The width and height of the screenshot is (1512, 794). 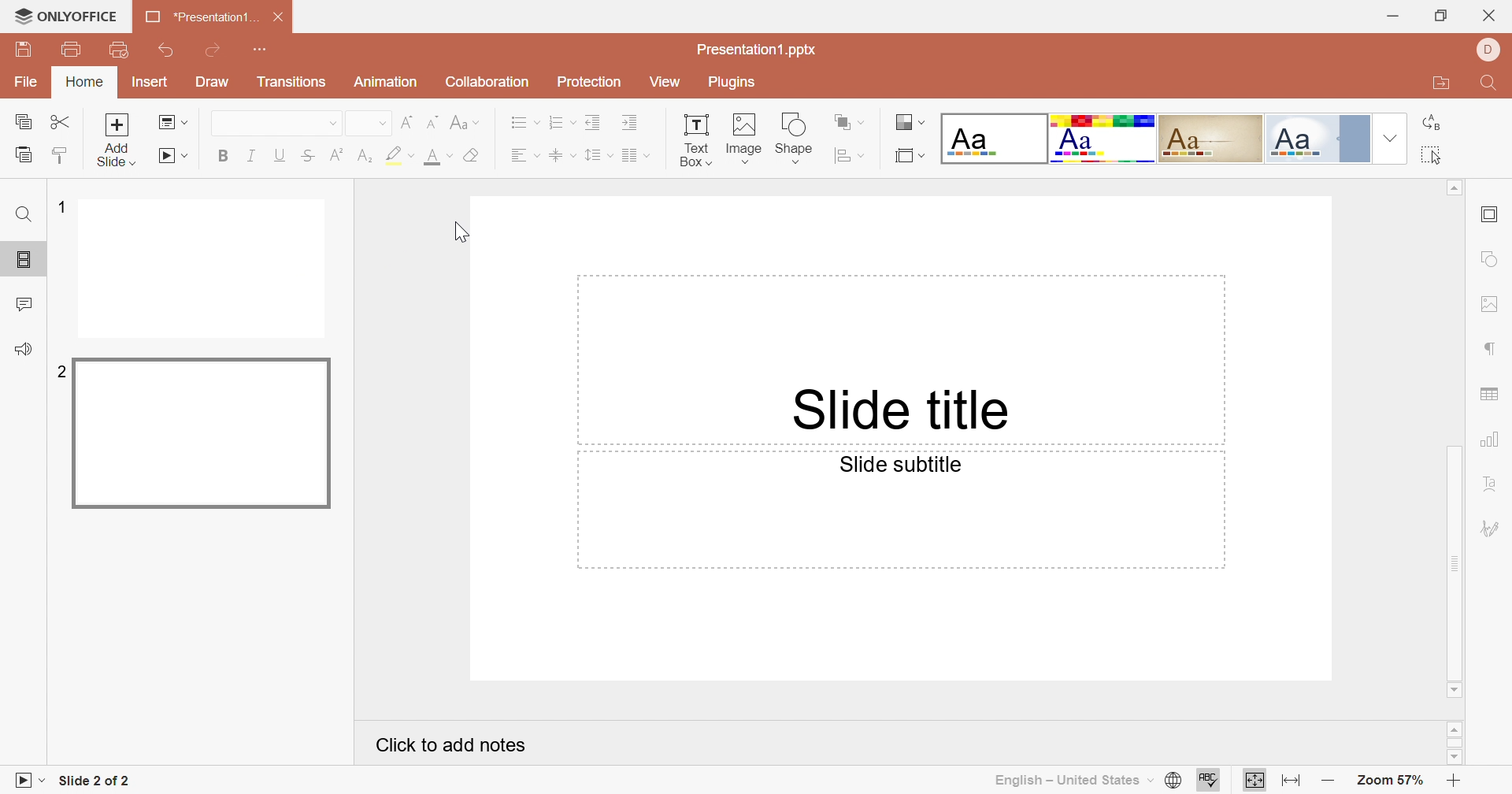 What do you see at coordinates (436, 157) in the screenshot?
I see `Font color` at bounding box center [436, 157].